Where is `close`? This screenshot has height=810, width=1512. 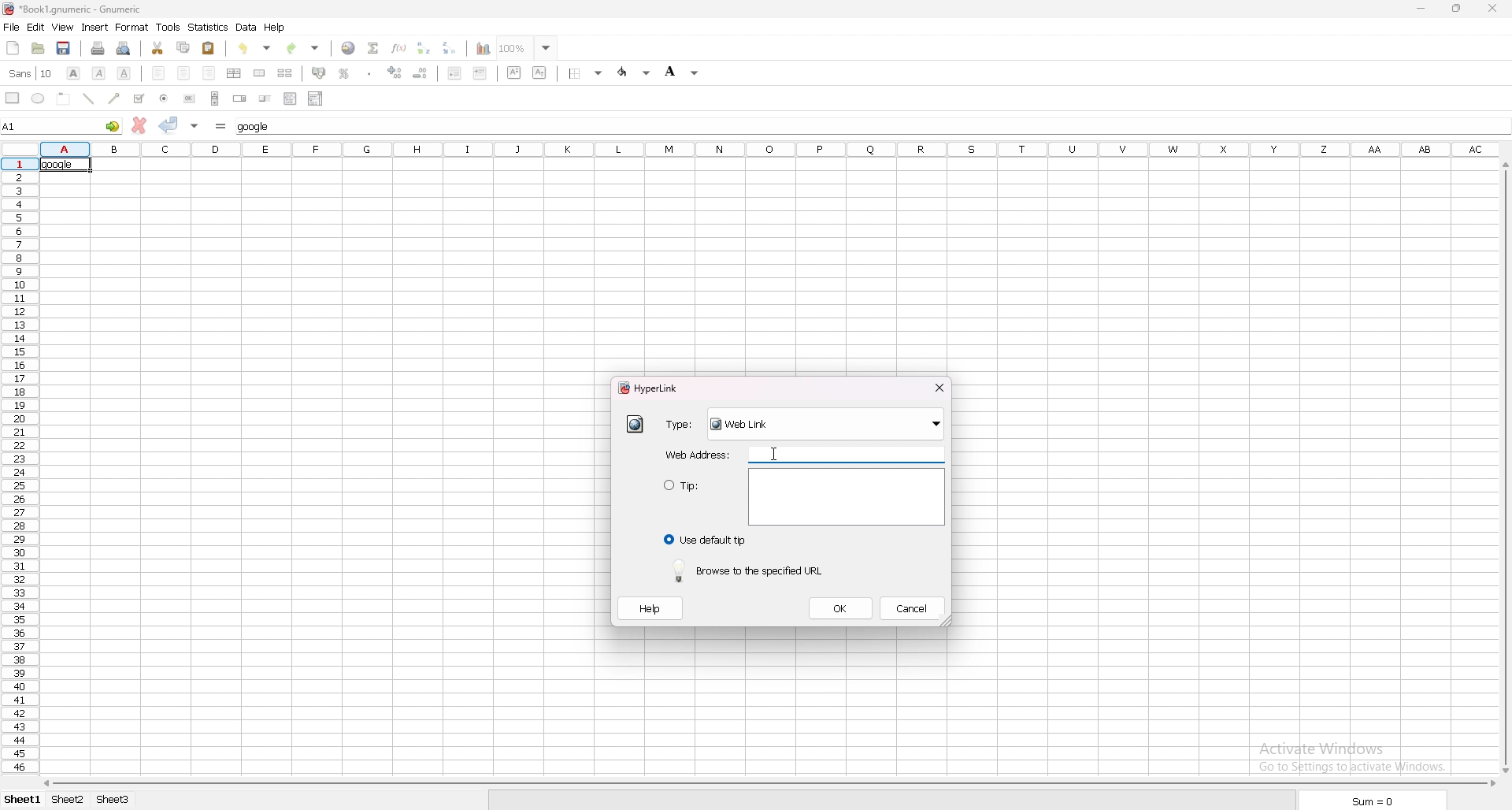 close is located at coordinates (1492, 9).